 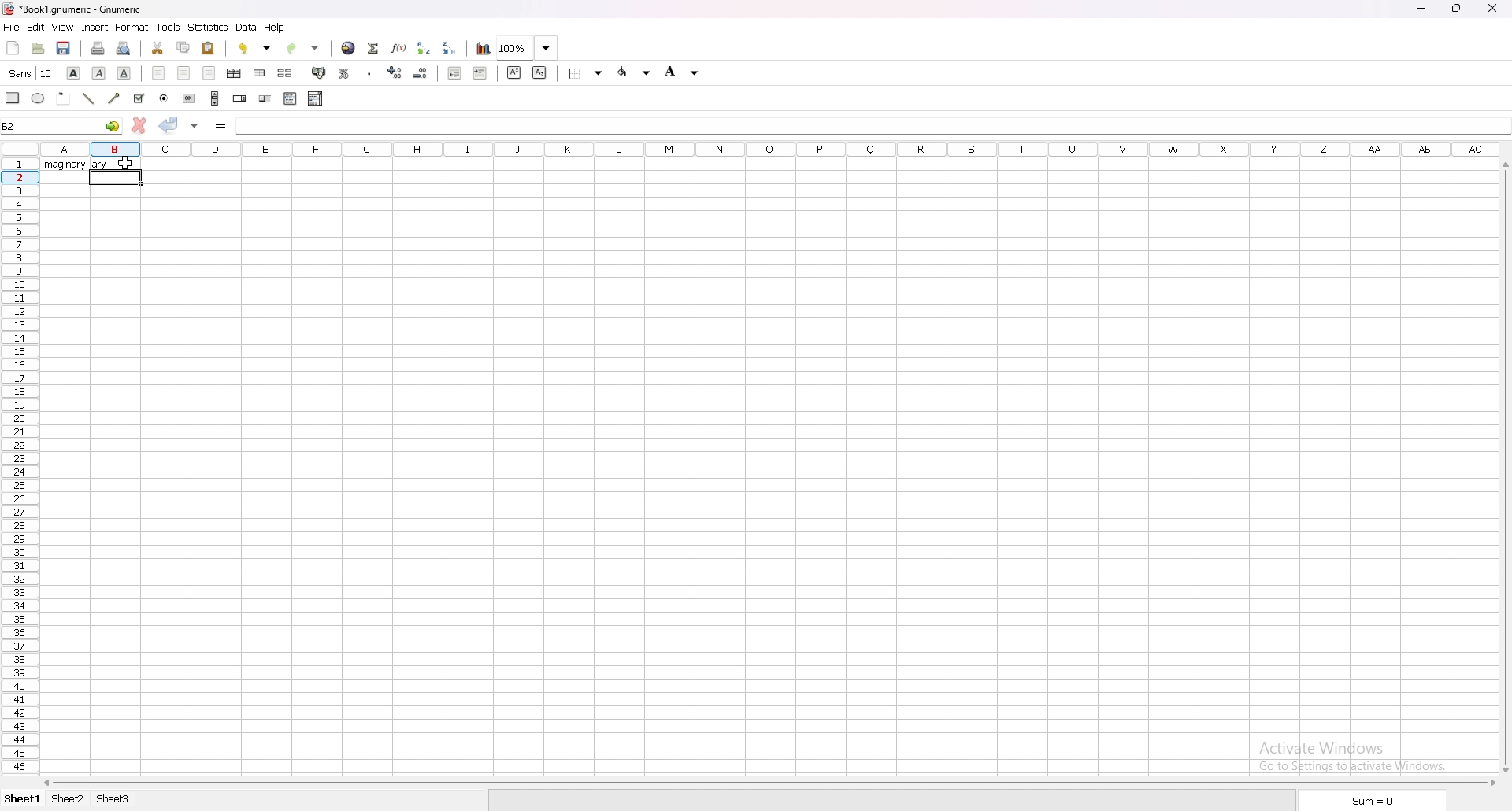 I want to click on line, so click(x=88, y=98).